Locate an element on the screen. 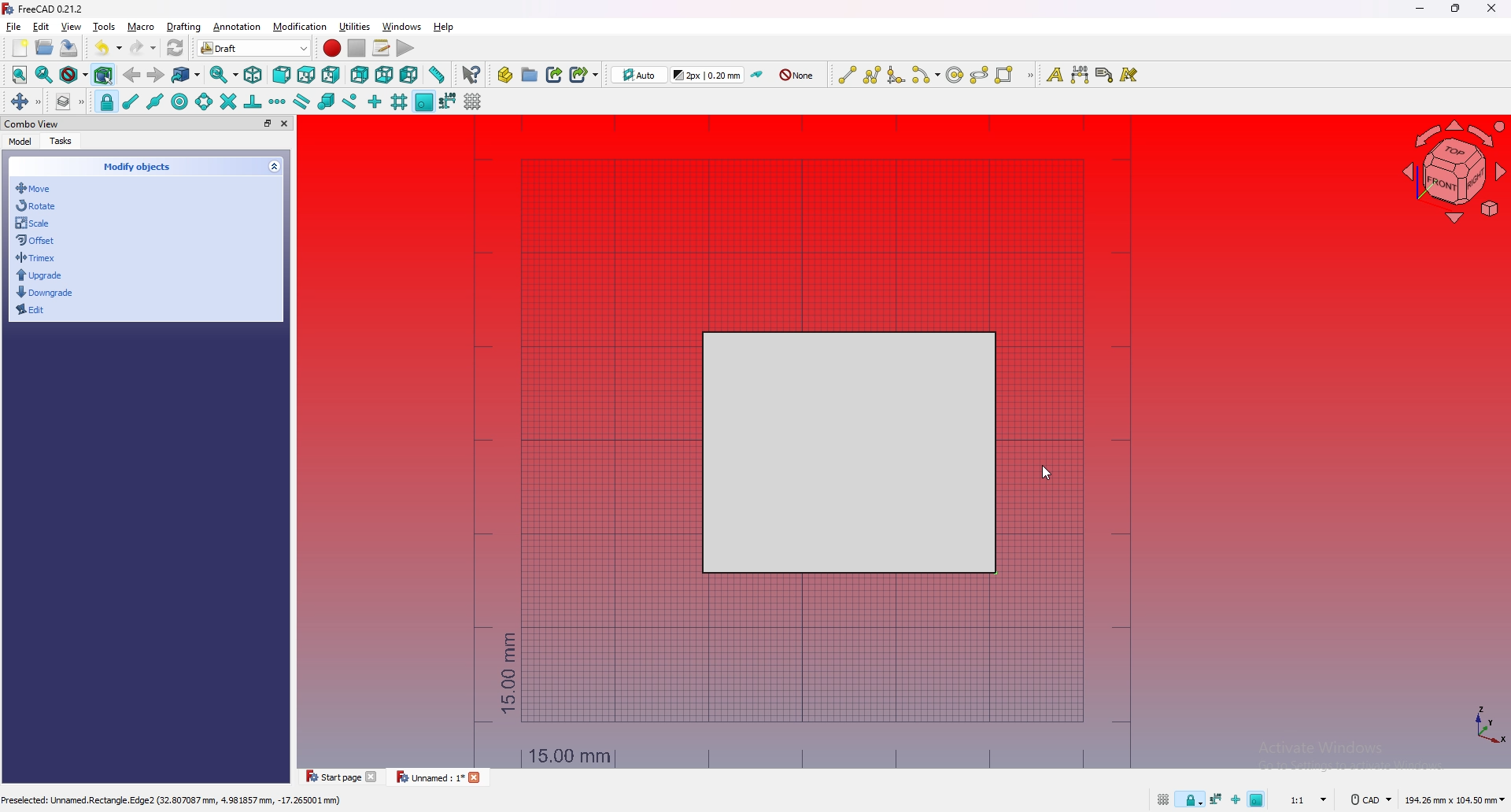 This screenshot has width=1511, height=812. cad  is located at coordinates (1369, 800).